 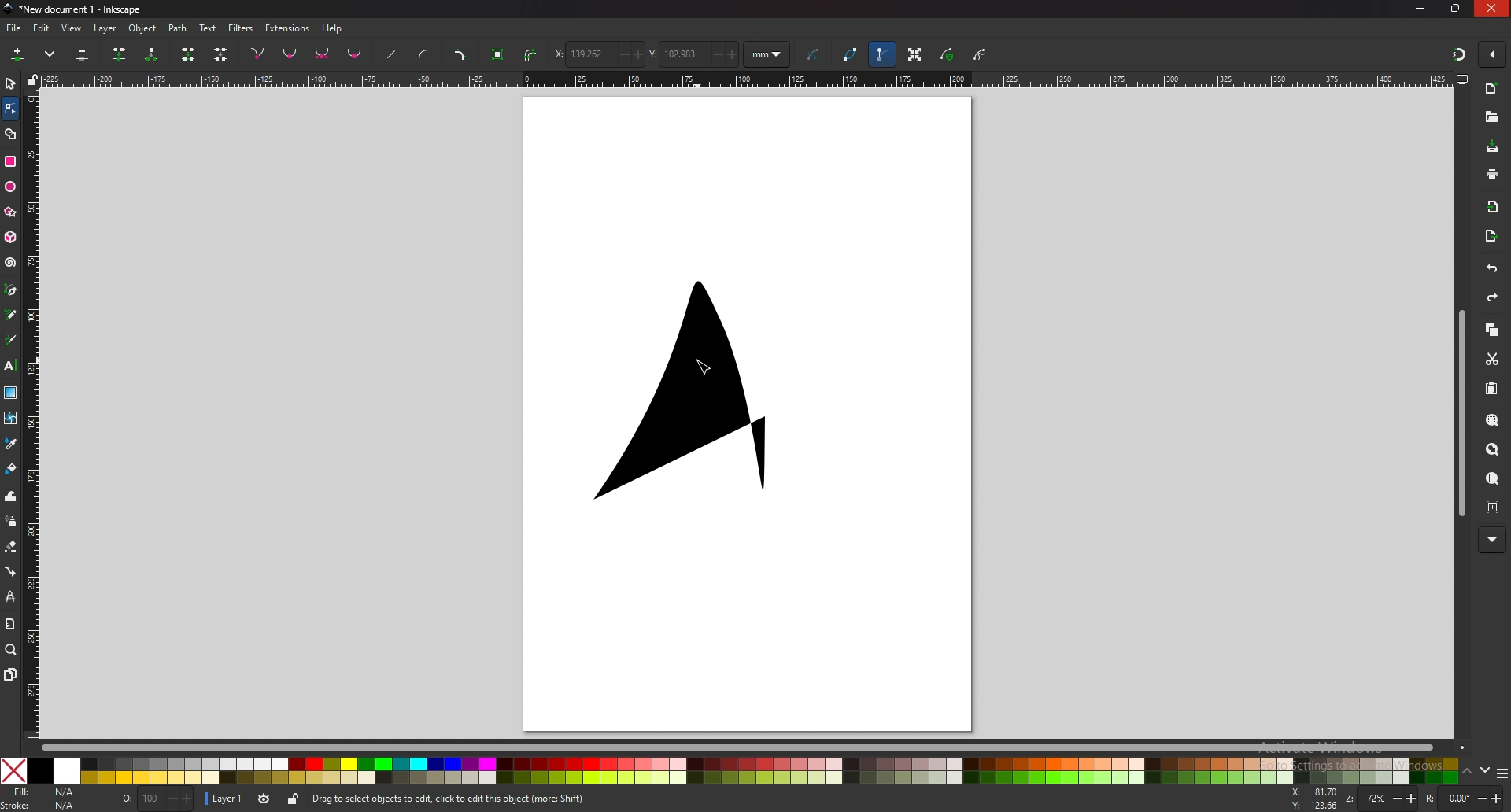 What do you see at coordinates (11, 417) in the screenshot?
I see `mesh` at bounding box center [11, 417].